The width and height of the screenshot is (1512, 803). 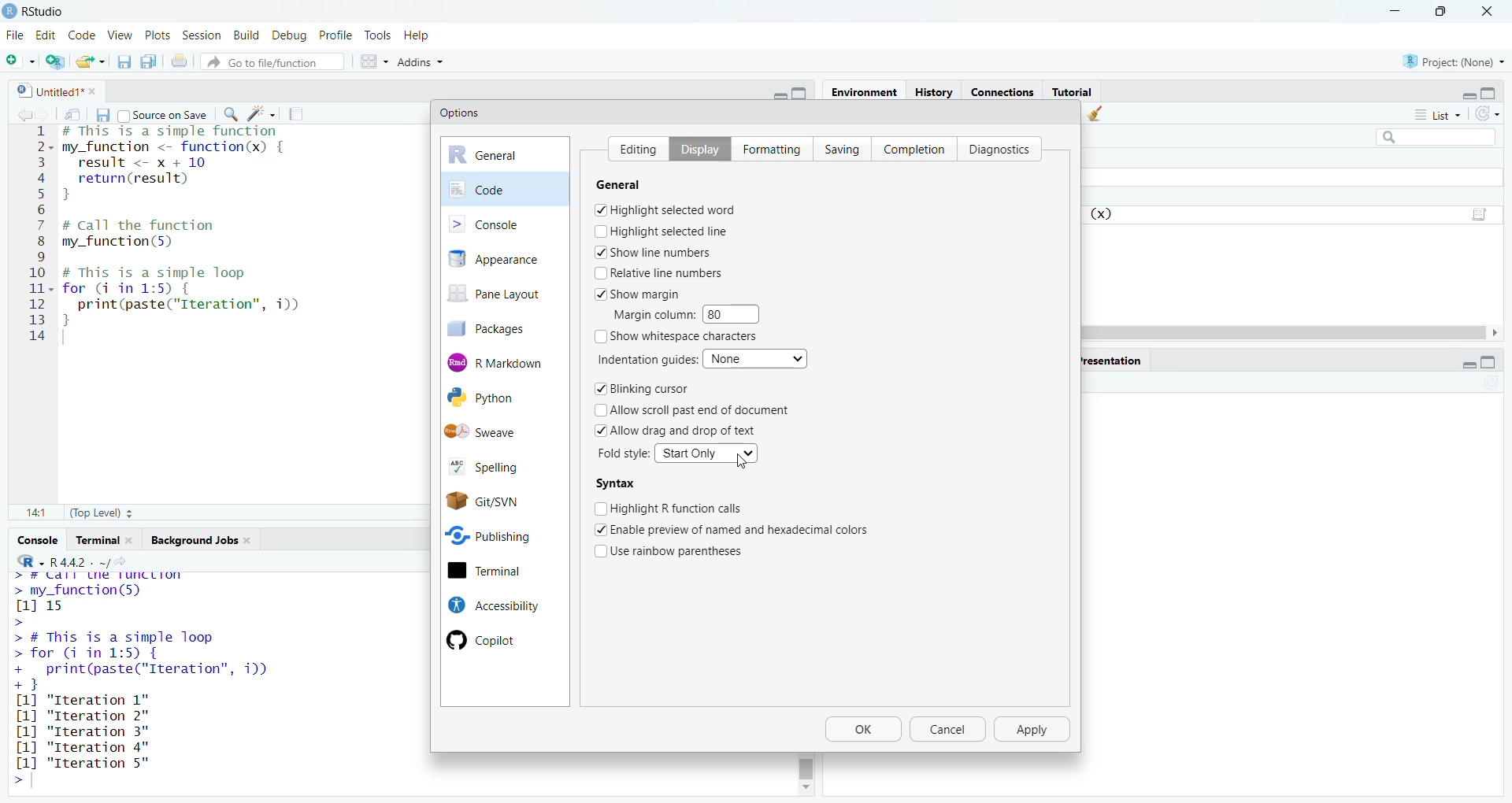 I want to click on relative line numbers, so click(x=660, y=272).